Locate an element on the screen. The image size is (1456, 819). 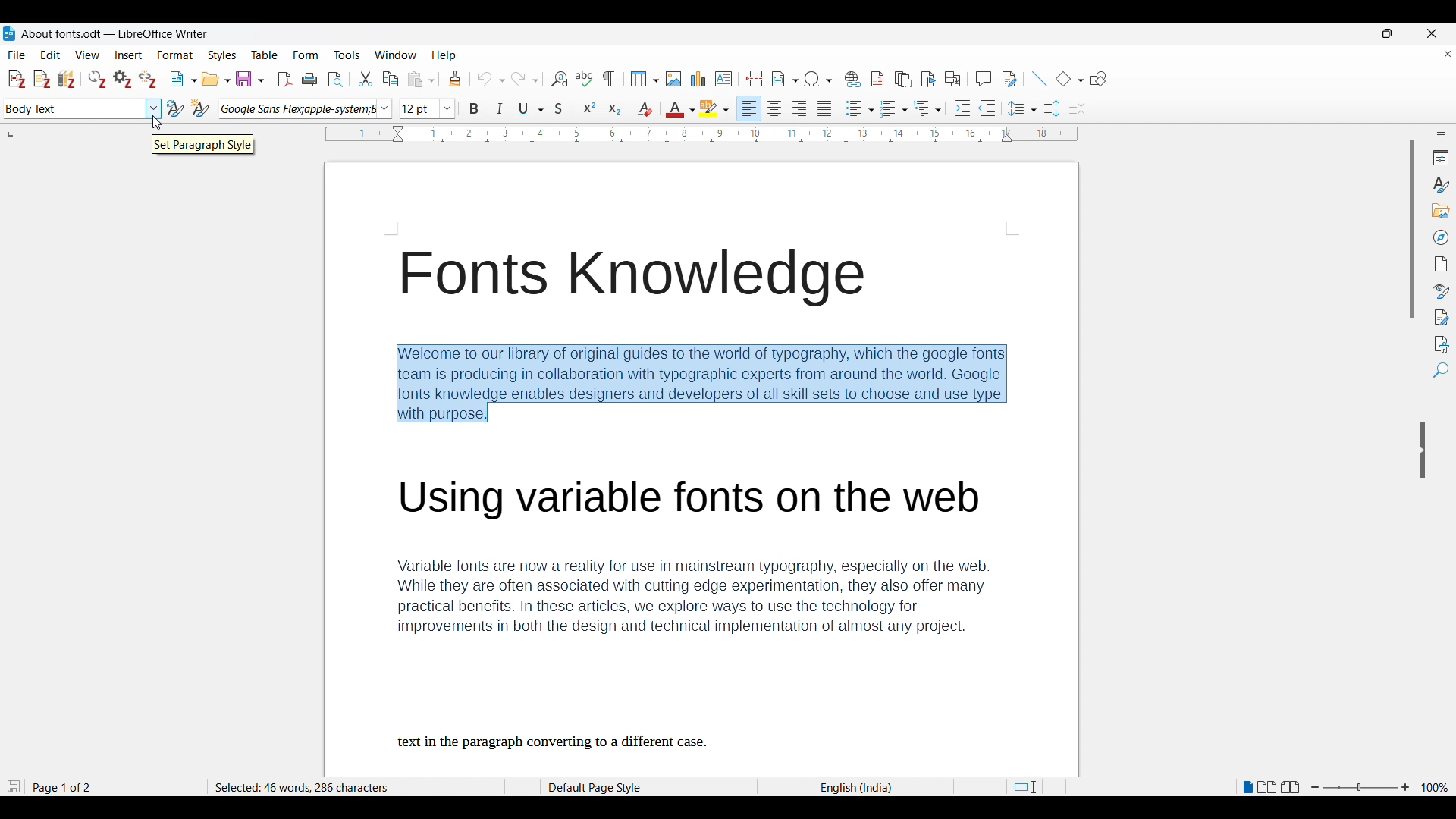
Highlight color options is located at coordinates (714, 108).